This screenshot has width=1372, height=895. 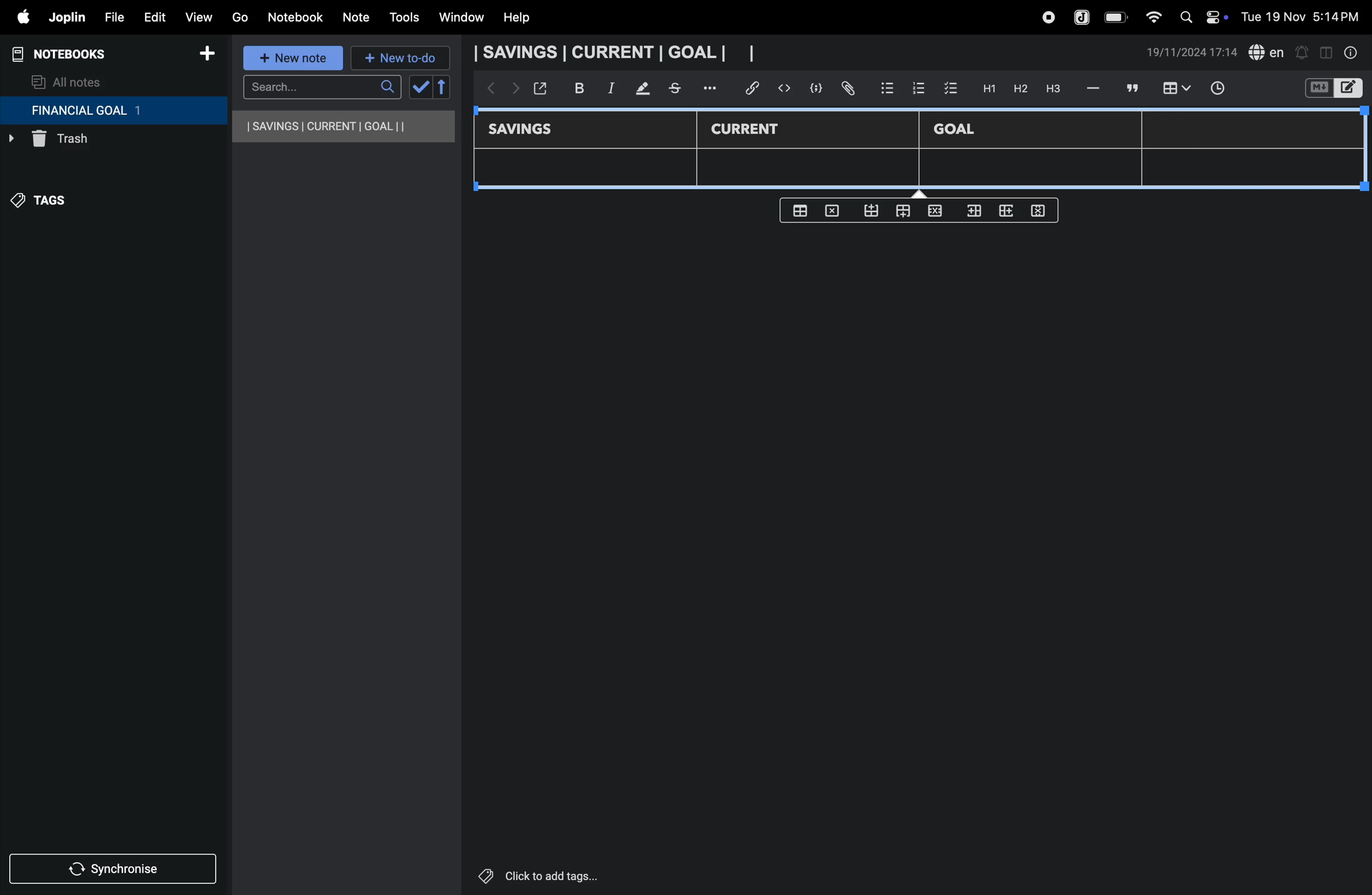 I want to click on joplin, so click(x=1083, y=16).